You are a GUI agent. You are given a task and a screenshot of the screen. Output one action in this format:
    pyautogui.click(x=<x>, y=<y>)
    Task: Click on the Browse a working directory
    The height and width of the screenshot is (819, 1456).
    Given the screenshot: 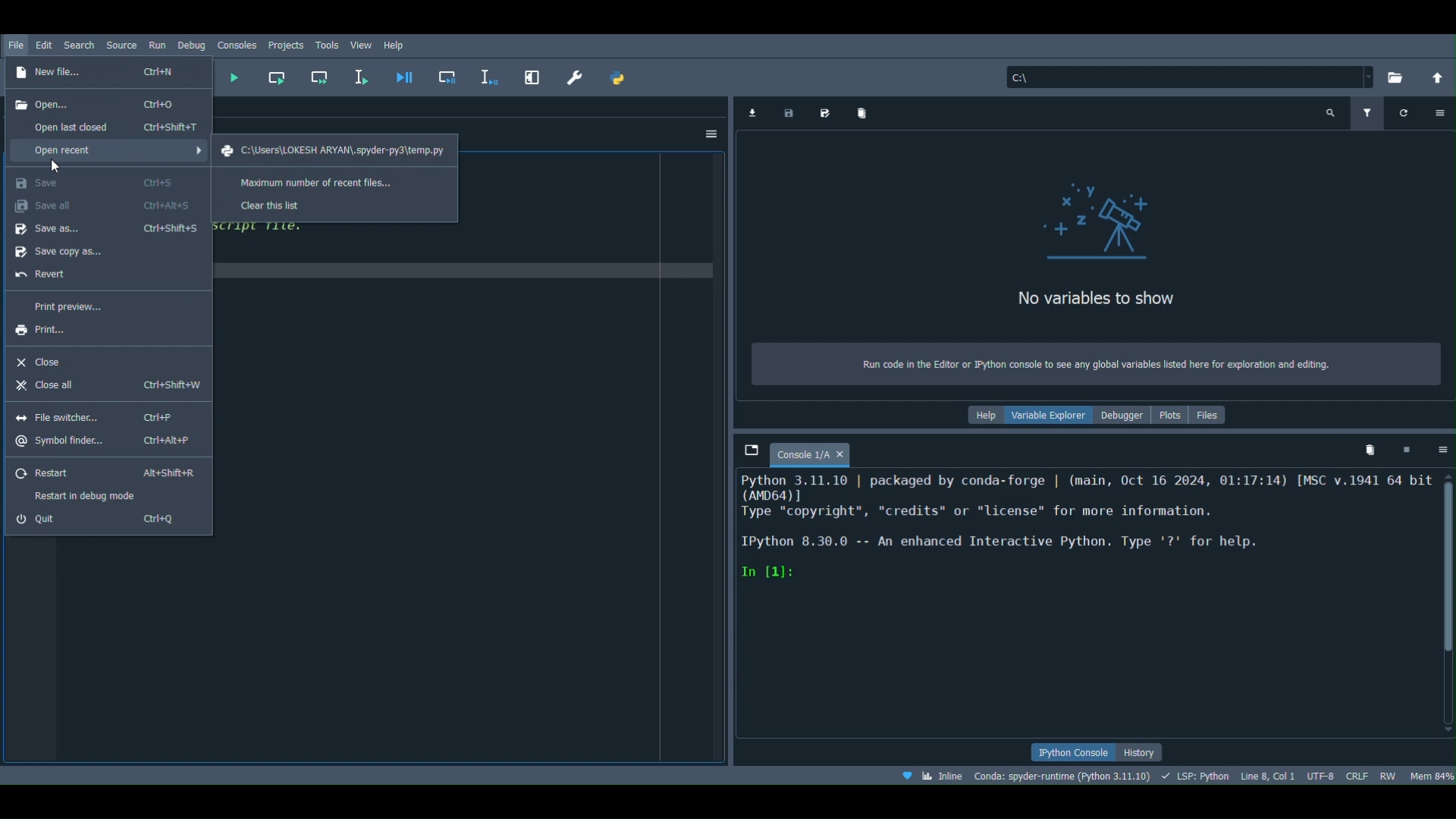 What is the action you would take?
    pyautogui.click(x=1393, y=75)
    